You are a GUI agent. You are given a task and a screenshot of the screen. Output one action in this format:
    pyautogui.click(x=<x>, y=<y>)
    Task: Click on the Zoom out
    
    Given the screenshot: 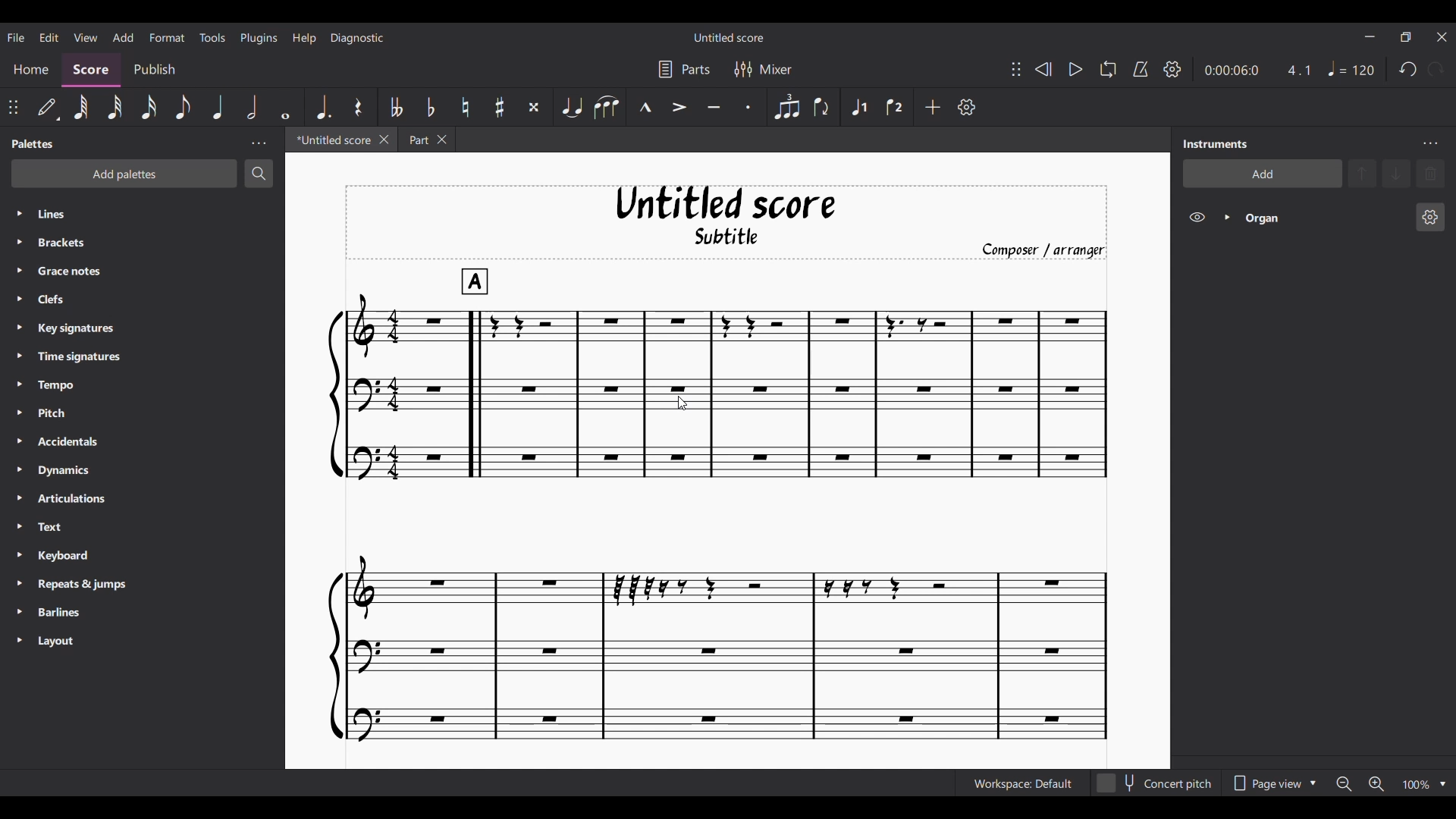 What is the action you would take?
    pyautogui.click(x=1344, y=784)
    